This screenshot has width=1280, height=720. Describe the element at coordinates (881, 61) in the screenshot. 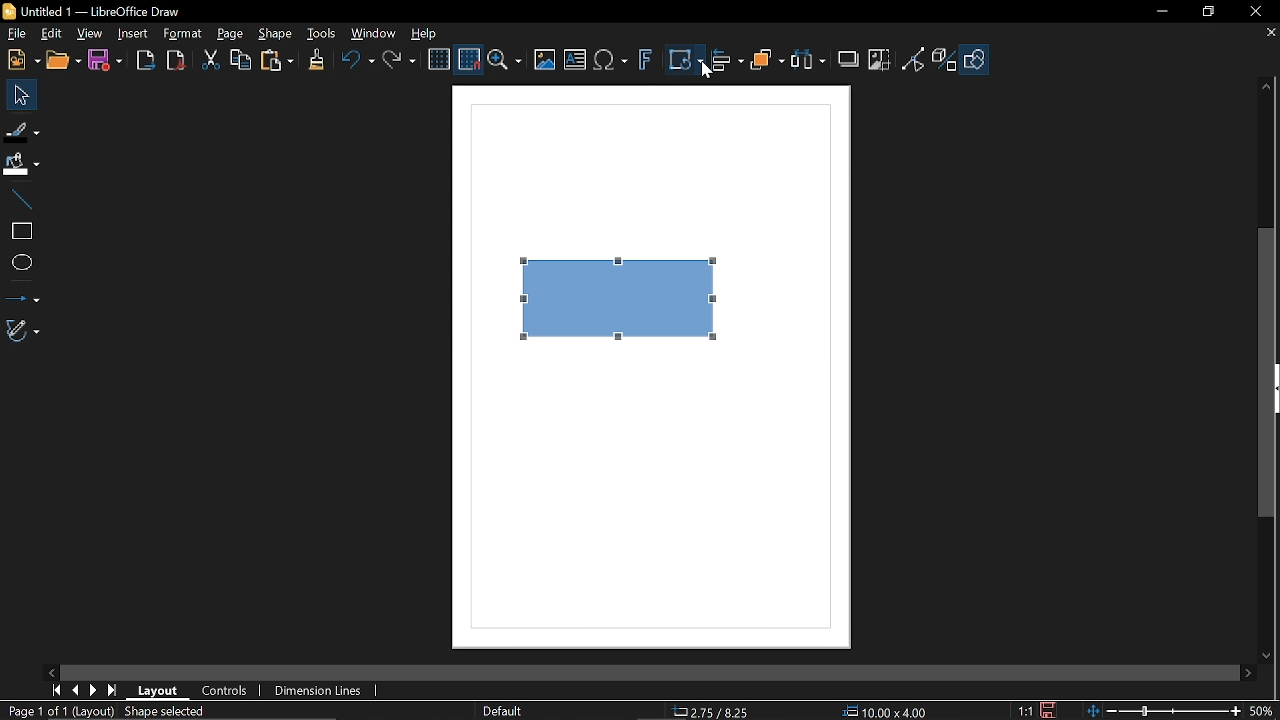

I see `Crop` at that location.